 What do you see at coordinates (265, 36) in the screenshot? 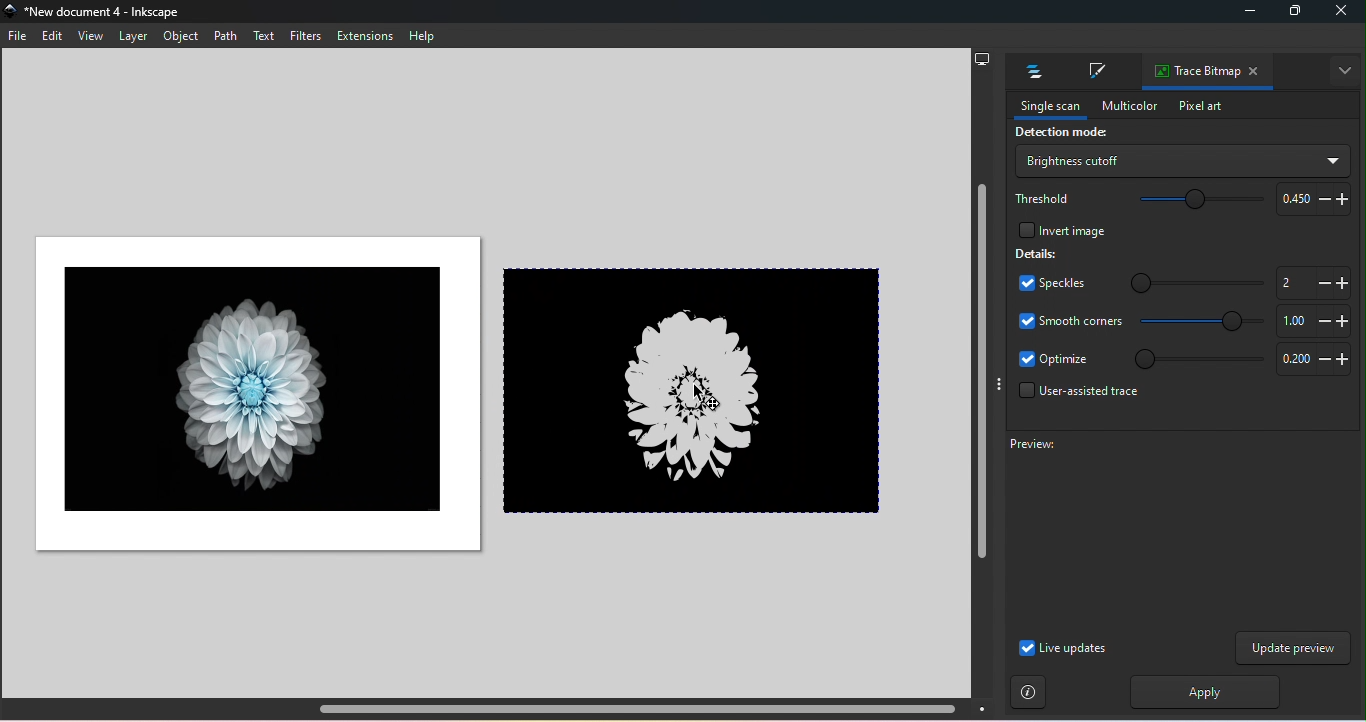
I see `Text` at bounding box center [265, 36].